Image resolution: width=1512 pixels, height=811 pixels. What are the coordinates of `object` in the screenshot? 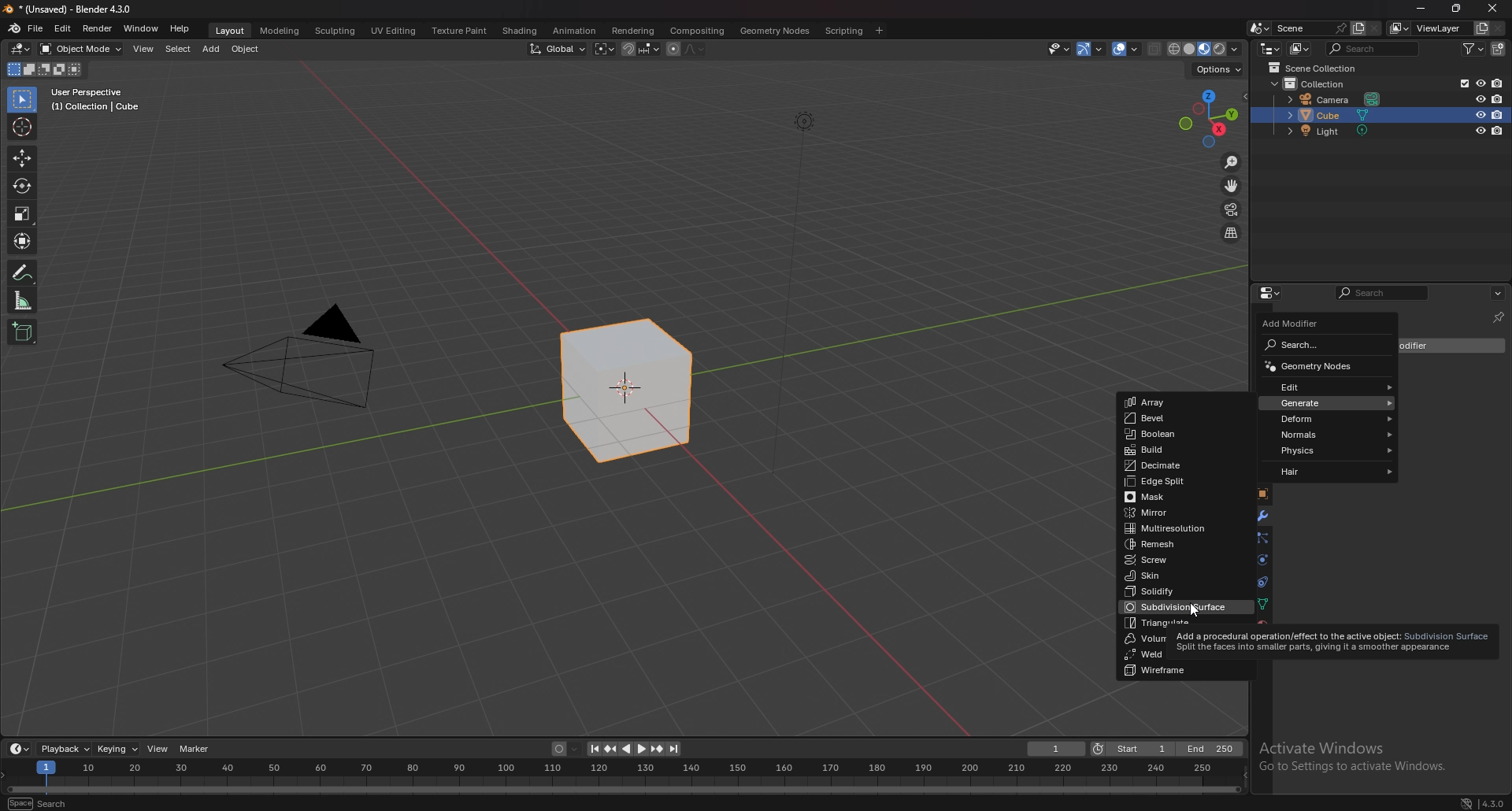 It's located at (1262, 494).